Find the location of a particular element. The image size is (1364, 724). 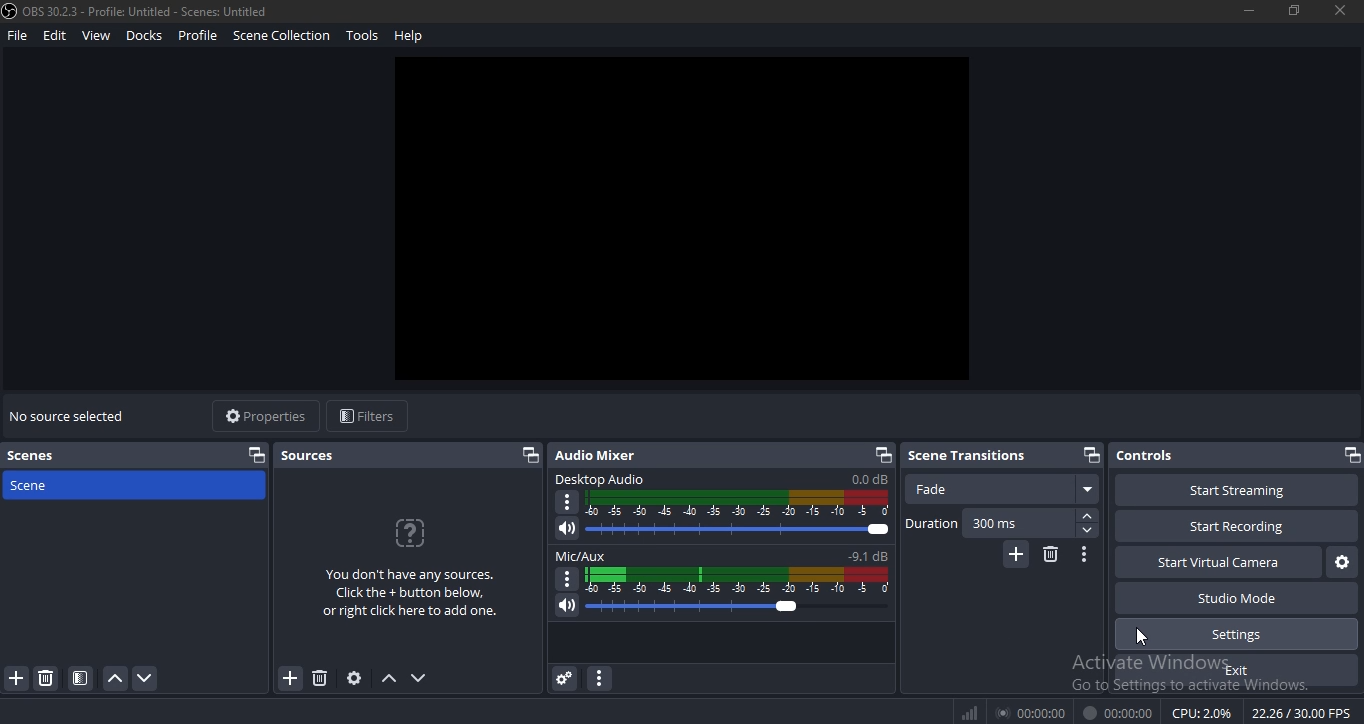

restore is located at coordinates (528, 455).